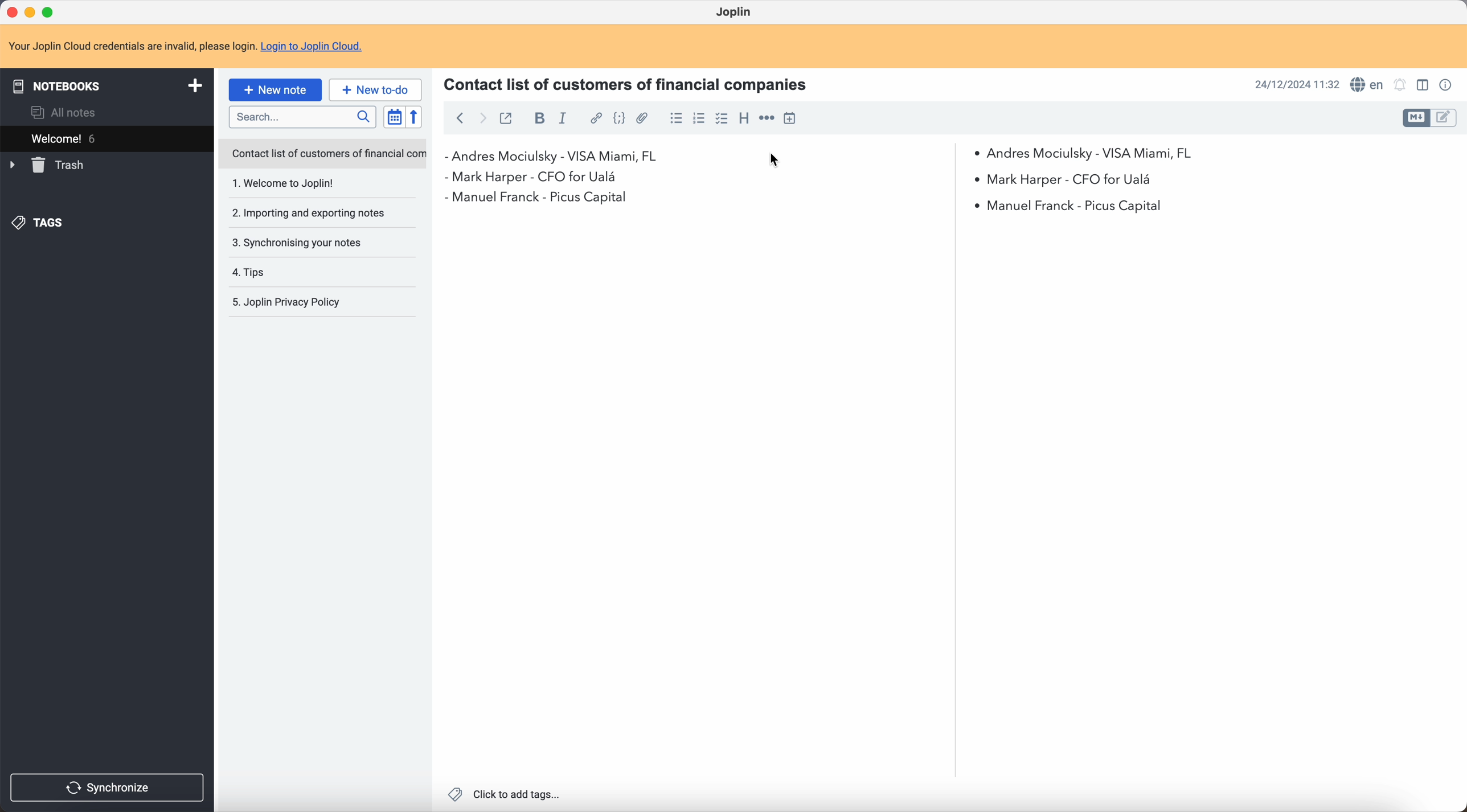 The image size is (1467, 812). I want to click on body text, so click(1205, 499).